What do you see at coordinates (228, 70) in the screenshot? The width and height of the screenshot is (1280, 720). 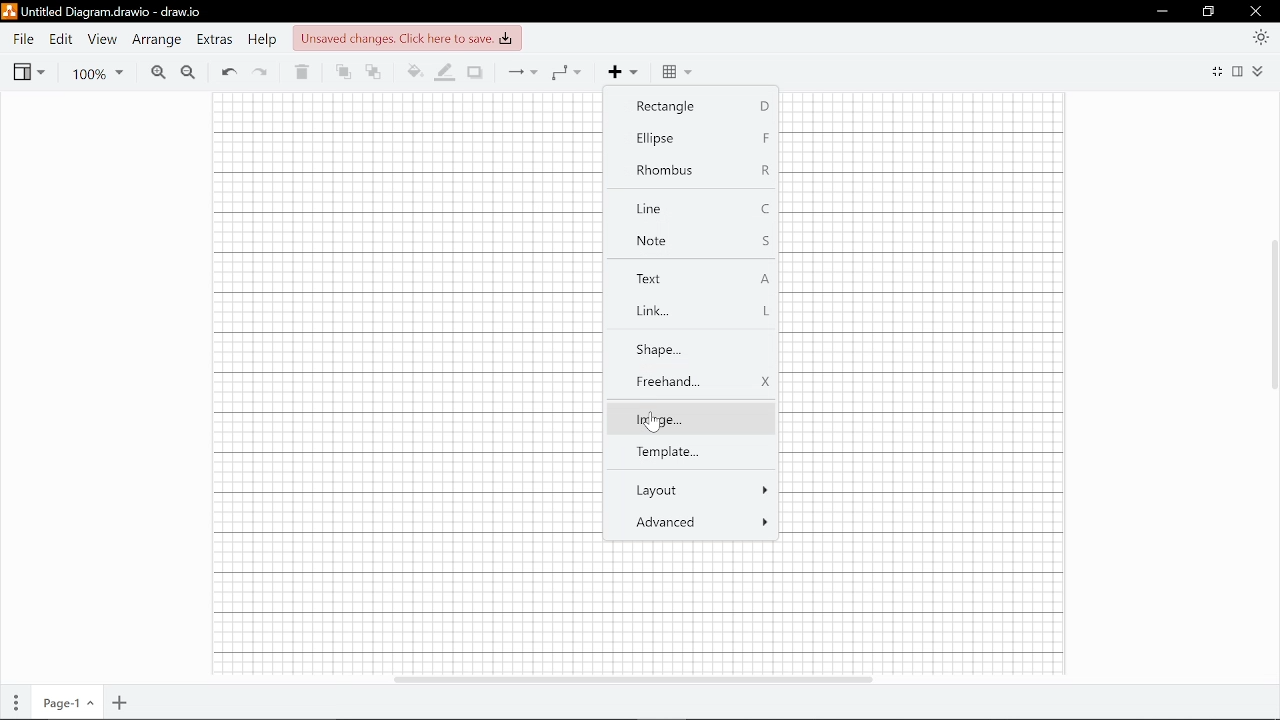 I see `Undo` at bounding box center [228, 70].